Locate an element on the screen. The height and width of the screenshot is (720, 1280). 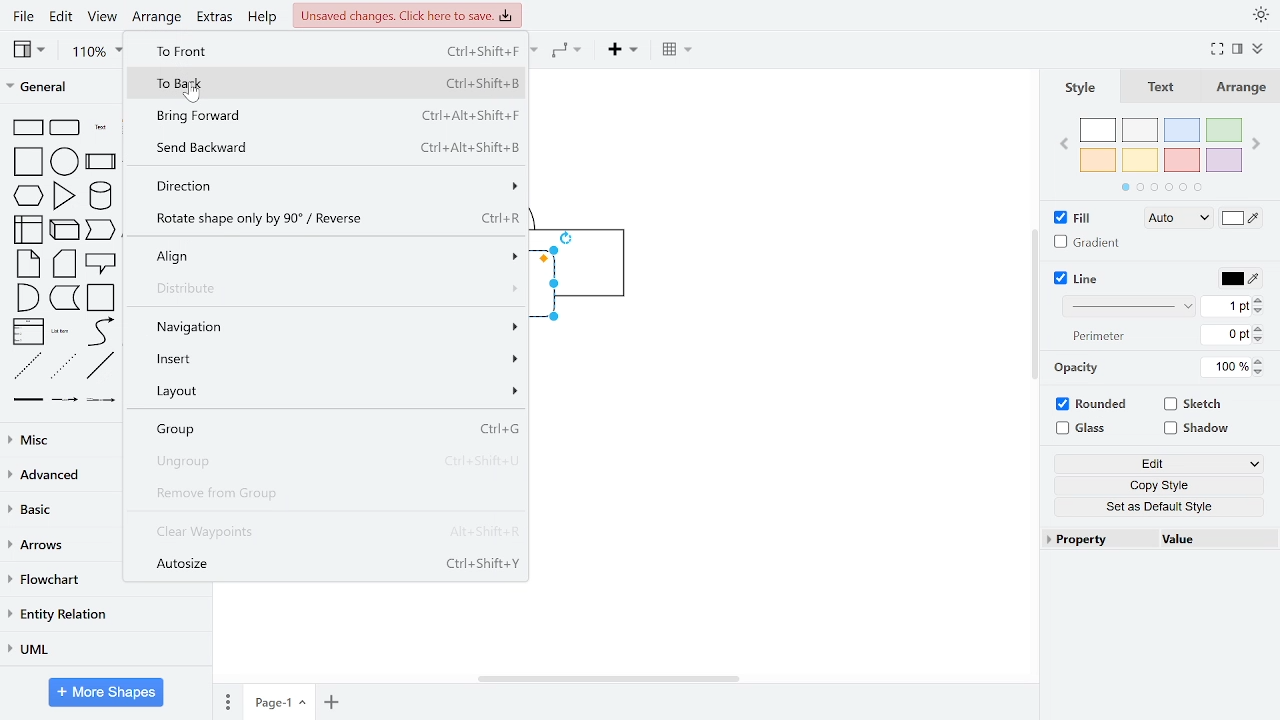
To back is located at coordinates (337, 82).